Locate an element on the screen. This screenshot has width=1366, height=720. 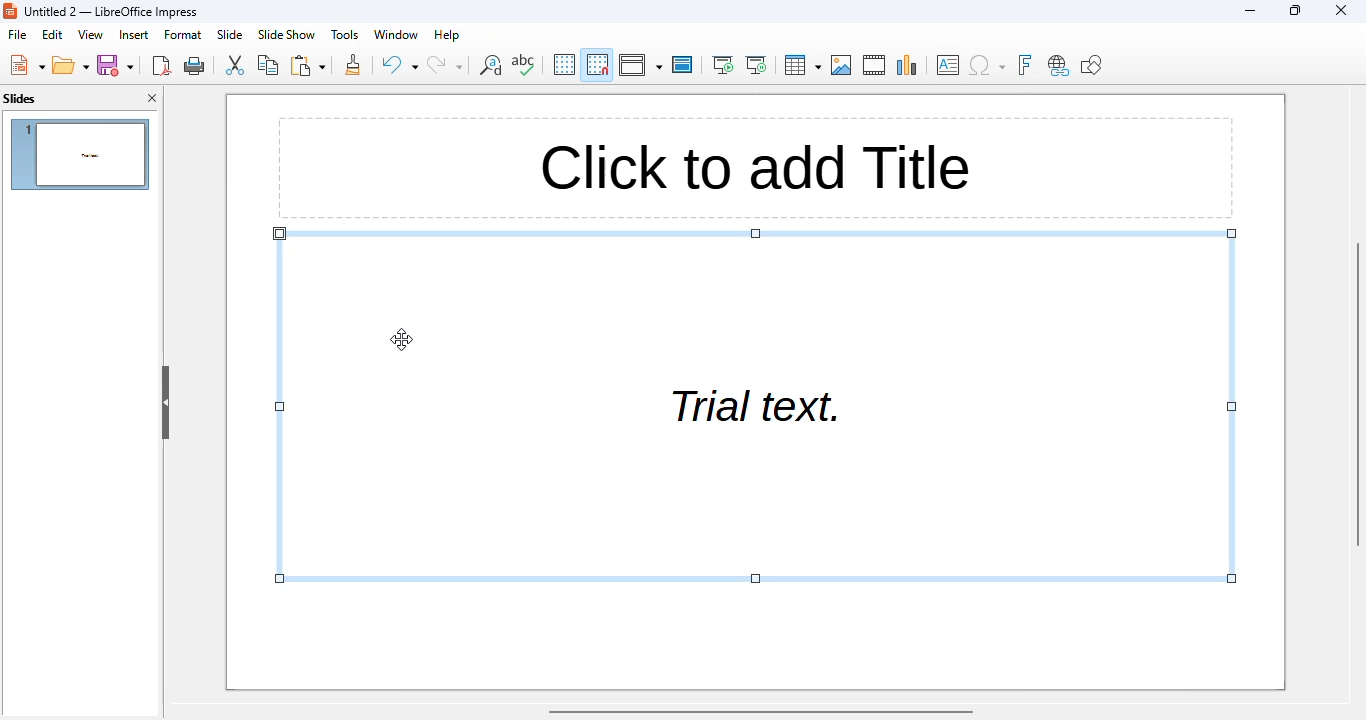
tools is located at coordinates (344, 34).